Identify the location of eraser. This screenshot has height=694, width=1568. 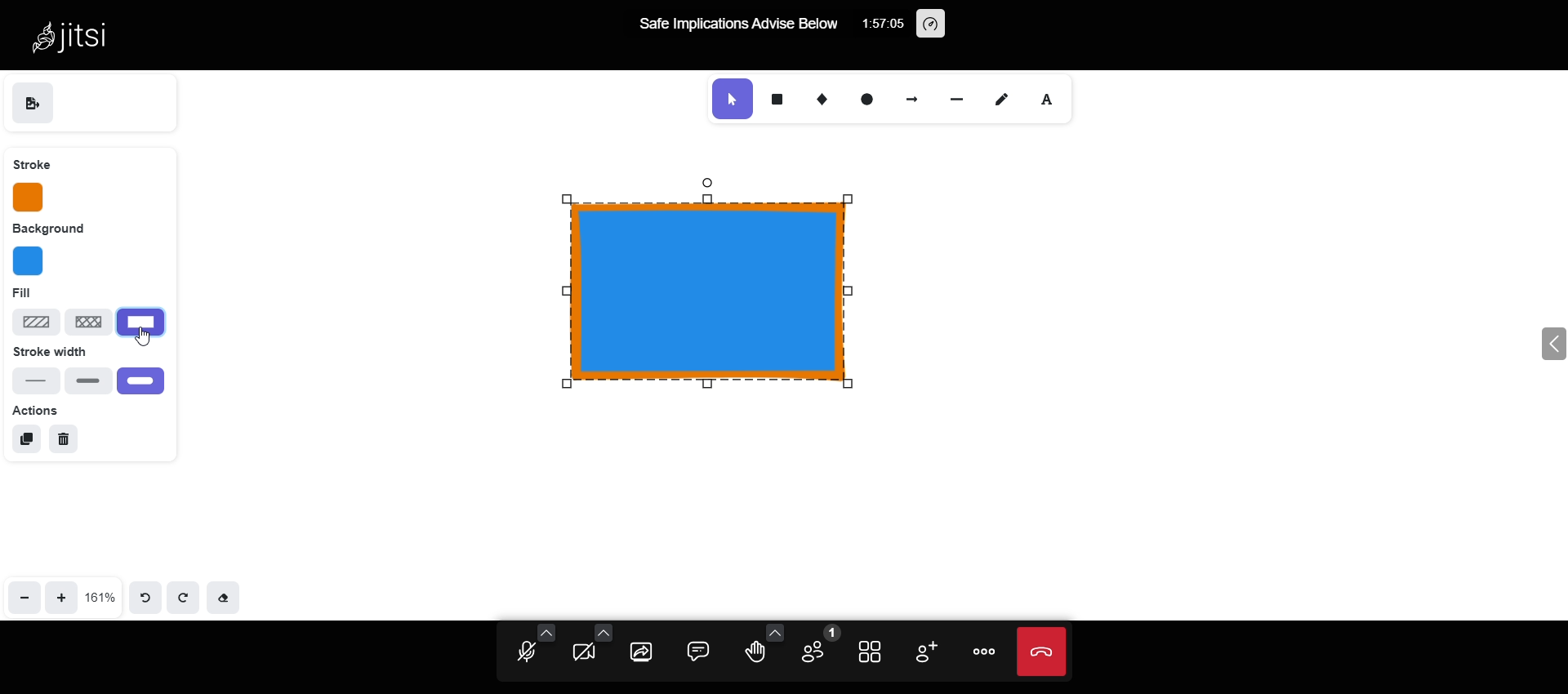
(227, 594).